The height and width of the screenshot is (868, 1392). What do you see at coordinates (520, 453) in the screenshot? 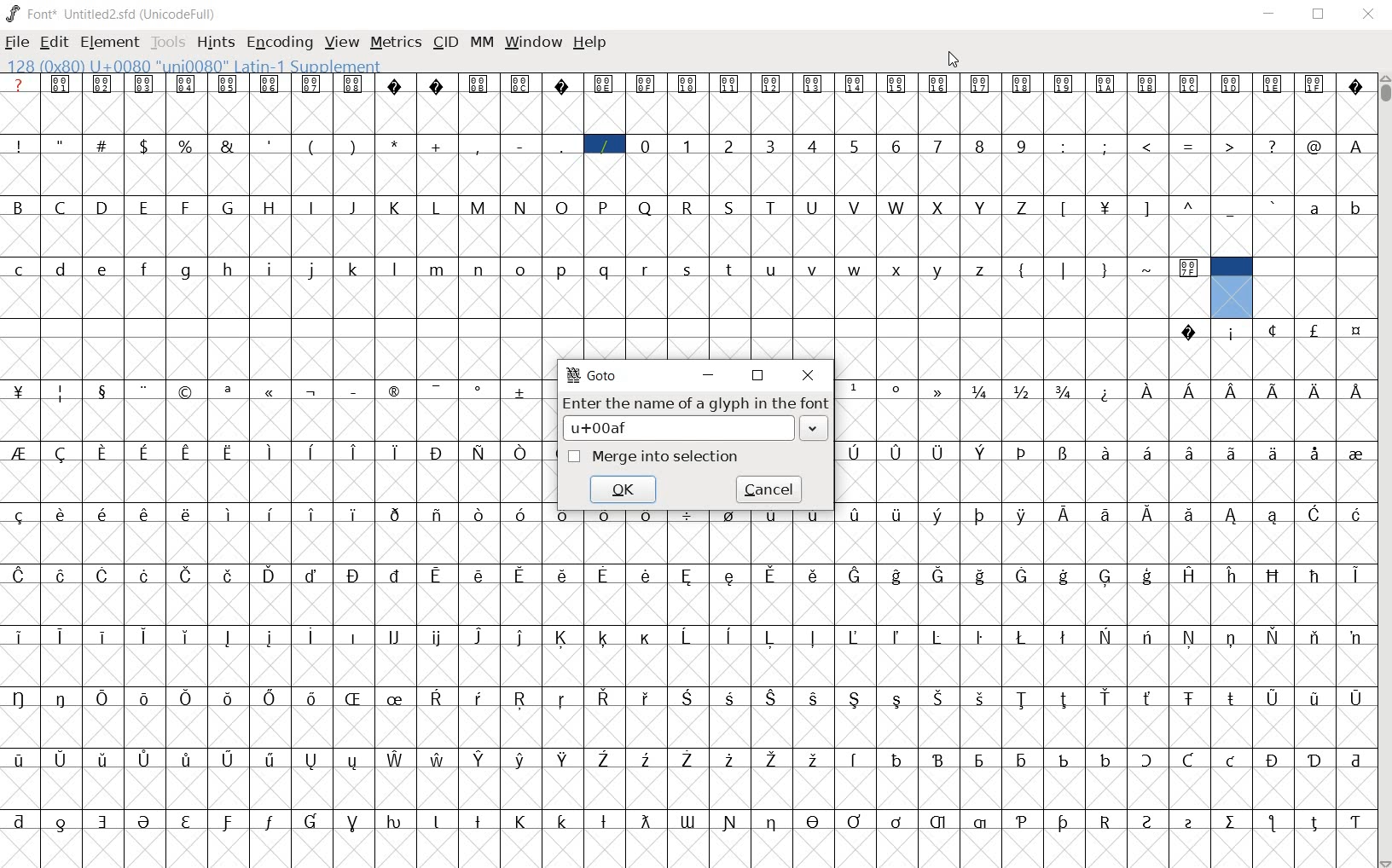
I see `Symbol` at bounding box center [520, 453].